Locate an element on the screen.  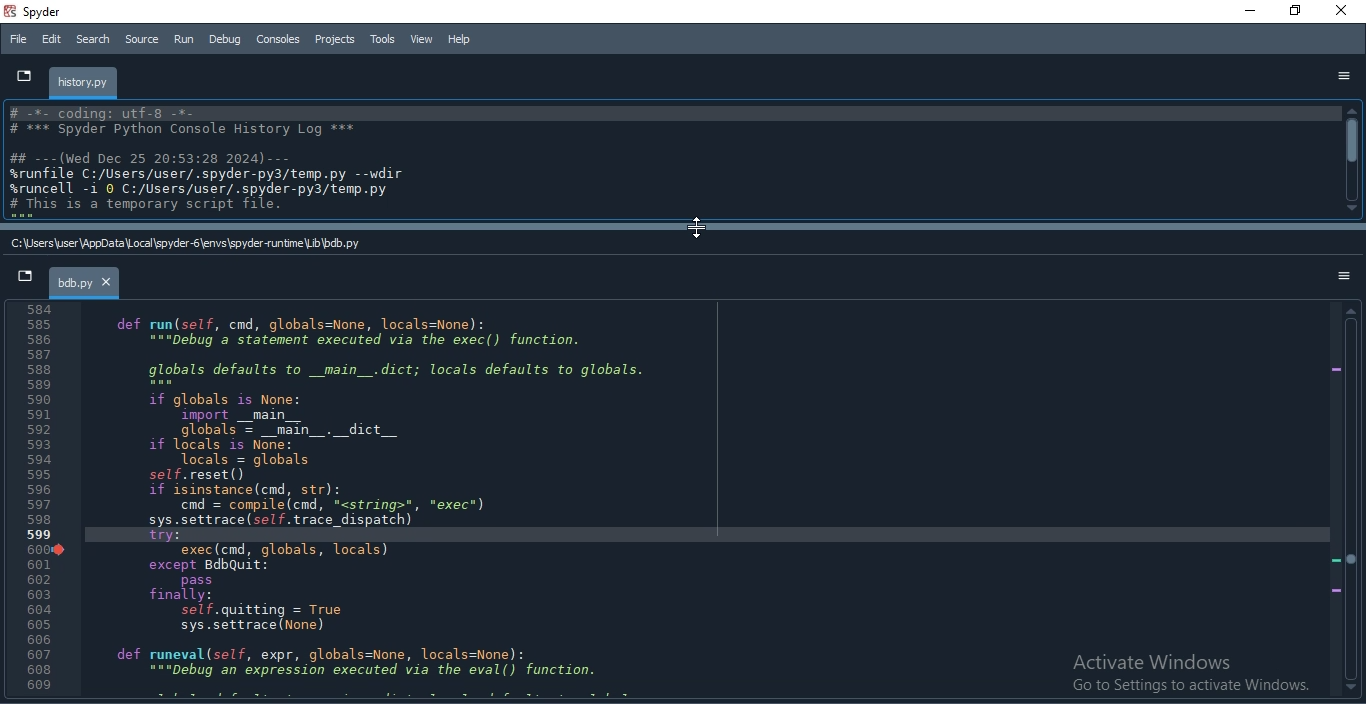
File  is located at coordinates (18, 38).